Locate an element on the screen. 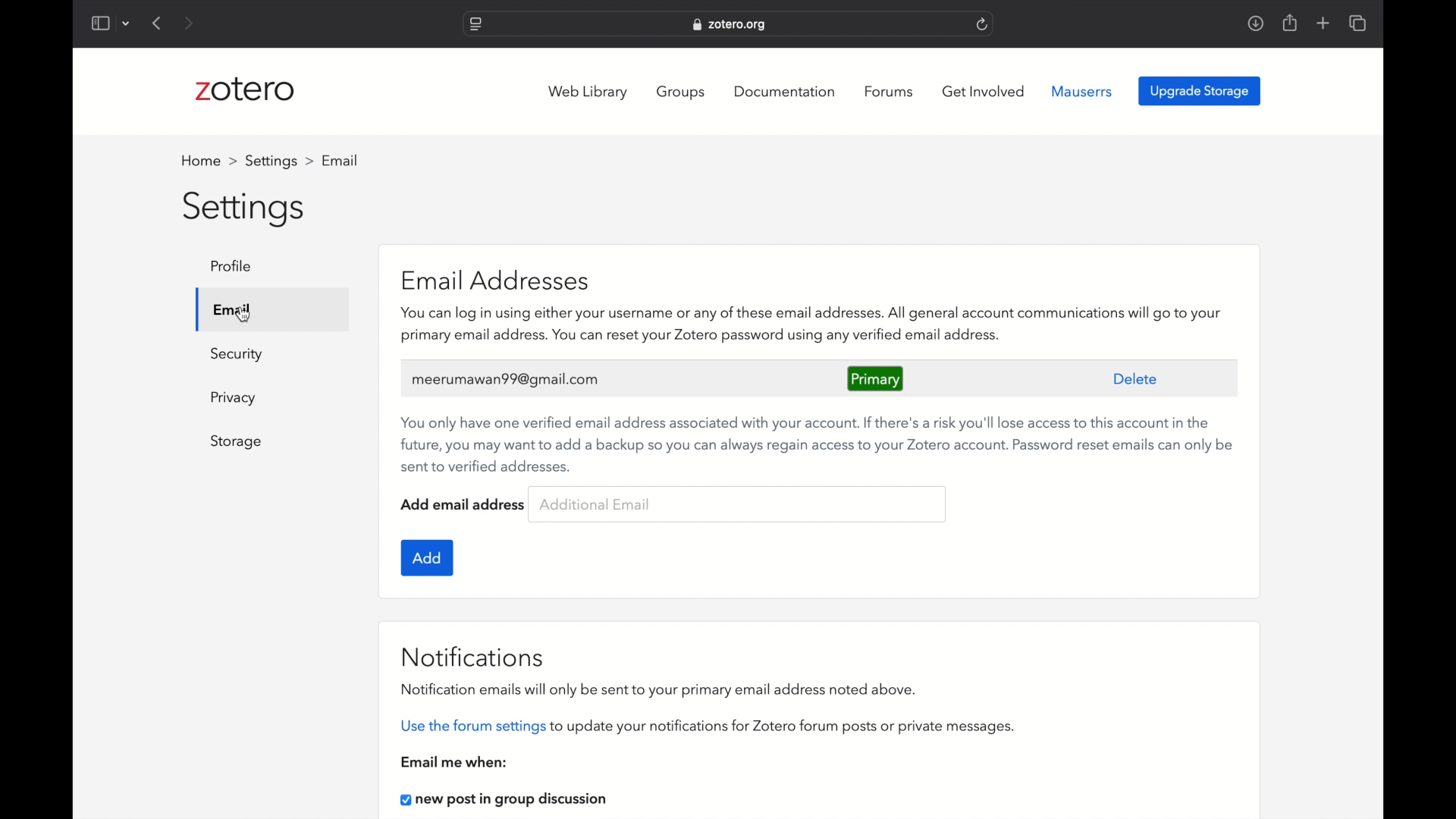 Image resolution: width=1456 pixels, height=819 pixels. primary is located at coordinates (877, 378).